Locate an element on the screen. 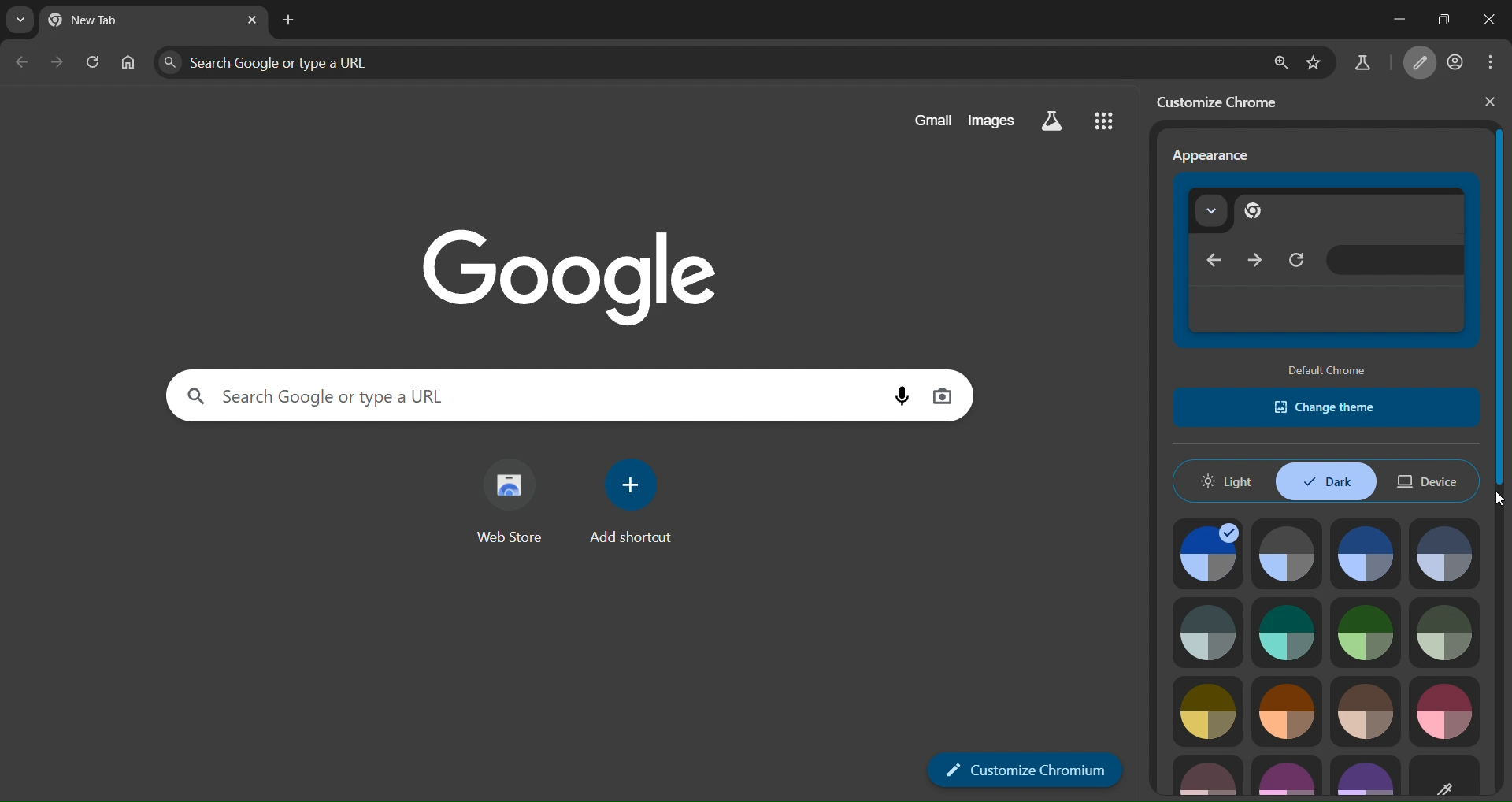 The width and height of the screenshot is (1512, 802). theme is located at coordinates (1447, 713).